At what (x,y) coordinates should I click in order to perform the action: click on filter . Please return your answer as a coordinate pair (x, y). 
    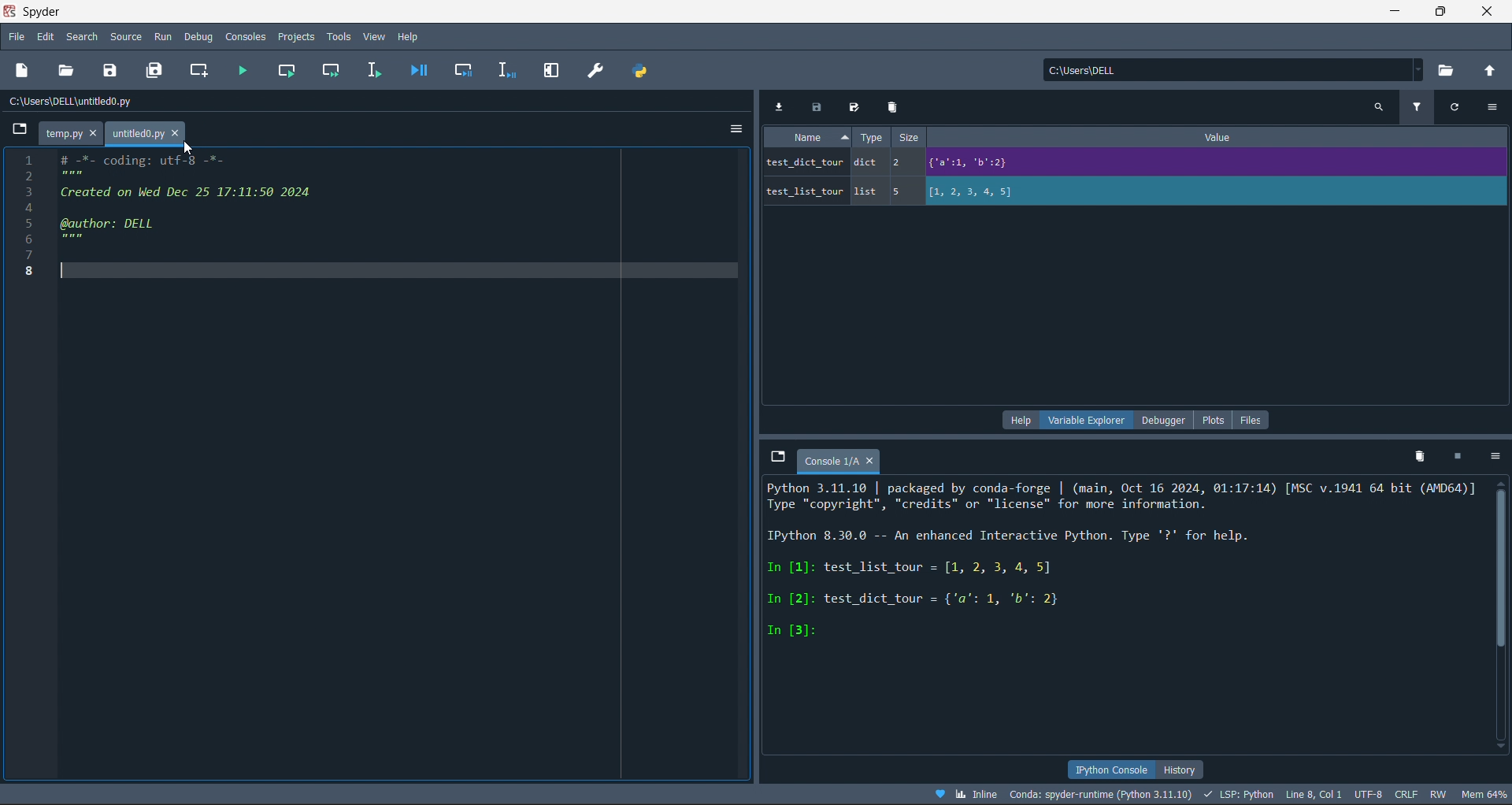
    Looking at the image, I should click on (1421, 106).